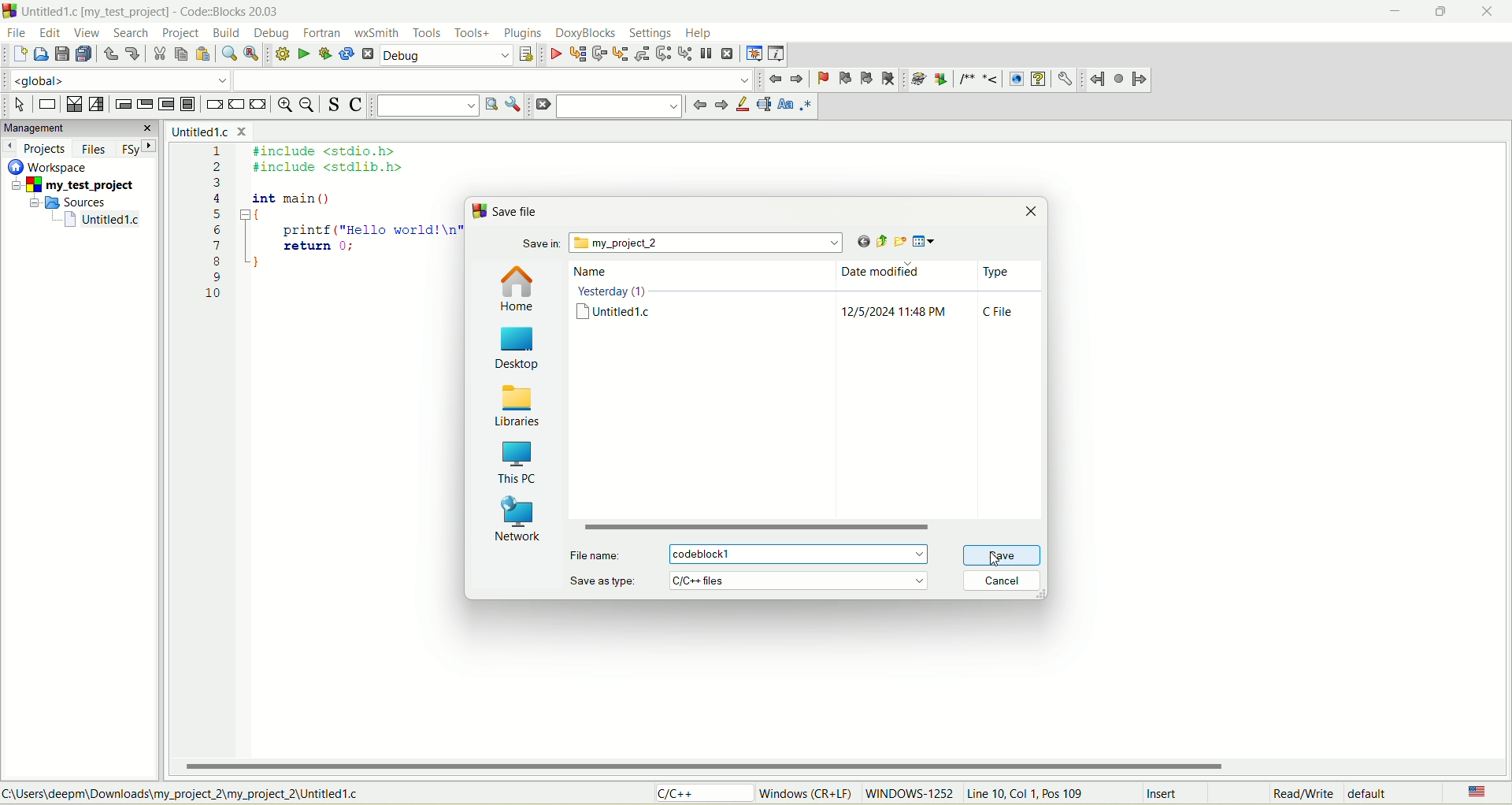  What do you see at coordinates (764, 106) in the screenshot?
I see `selected text` at bounding box center [764, 106].